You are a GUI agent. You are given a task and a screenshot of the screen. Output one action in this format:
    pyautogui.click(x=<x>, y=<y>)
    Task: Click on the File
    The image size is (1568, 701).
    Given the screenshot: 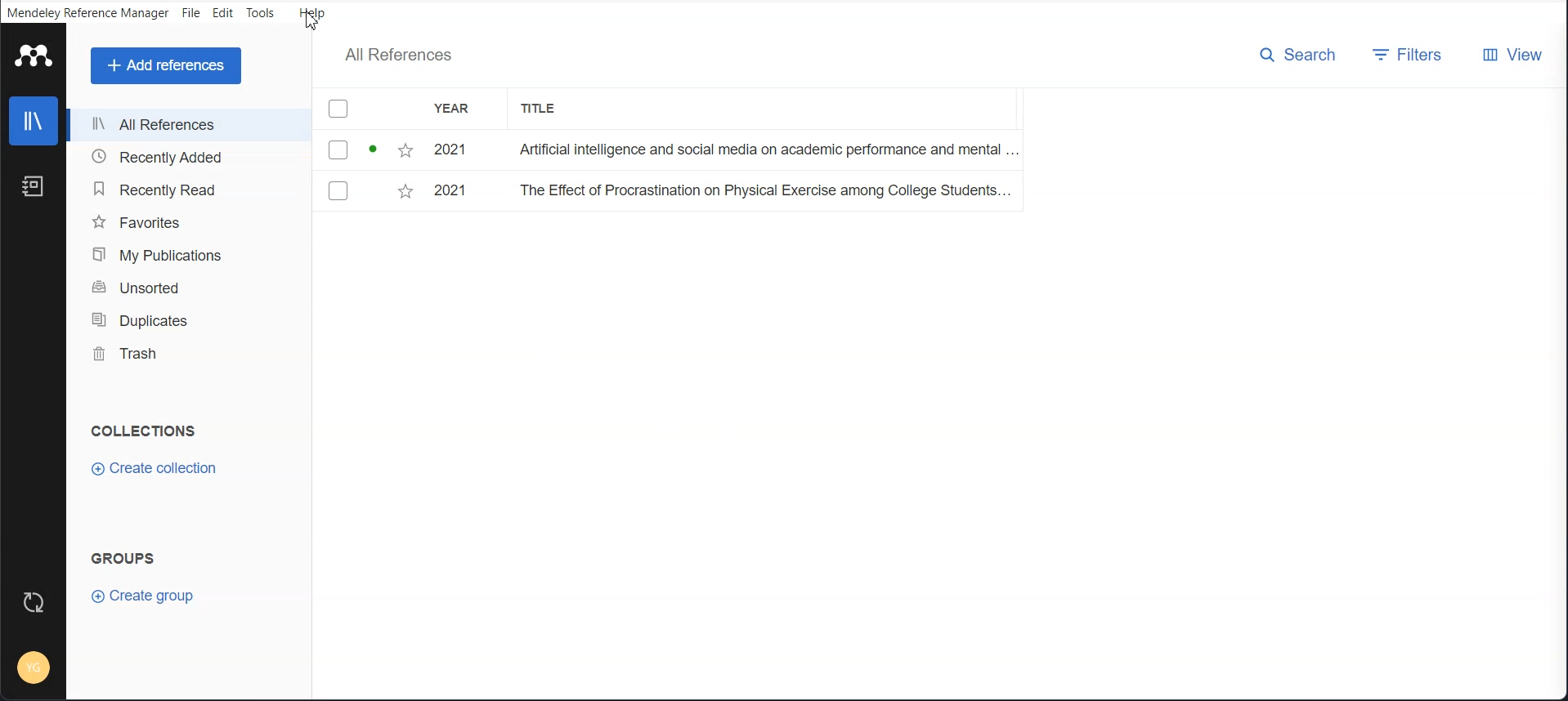 What is the action you would take?
    pyautogui.click(x=666, y=150)
    